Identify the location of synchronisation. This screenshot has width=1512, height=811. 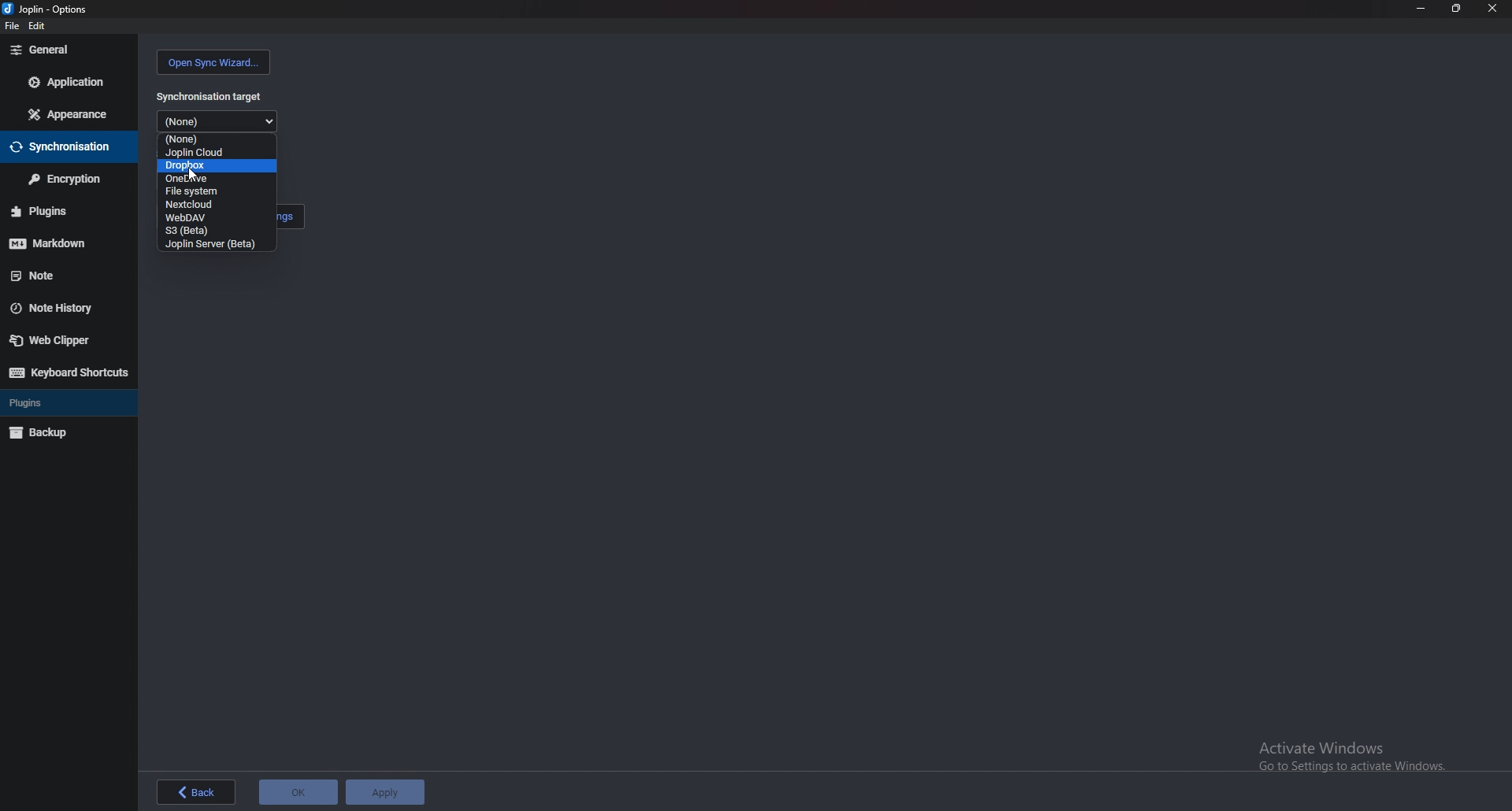
(62, 146).